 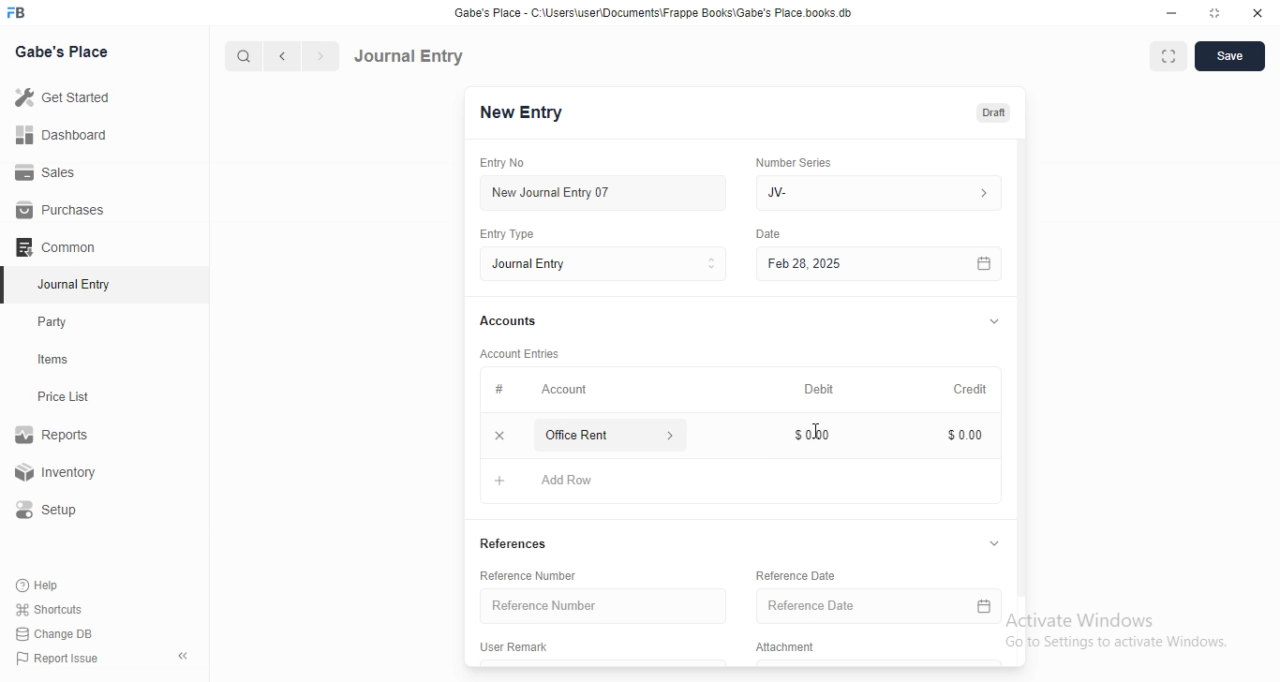 I want to click on JV-, so click(x=883, y=193).